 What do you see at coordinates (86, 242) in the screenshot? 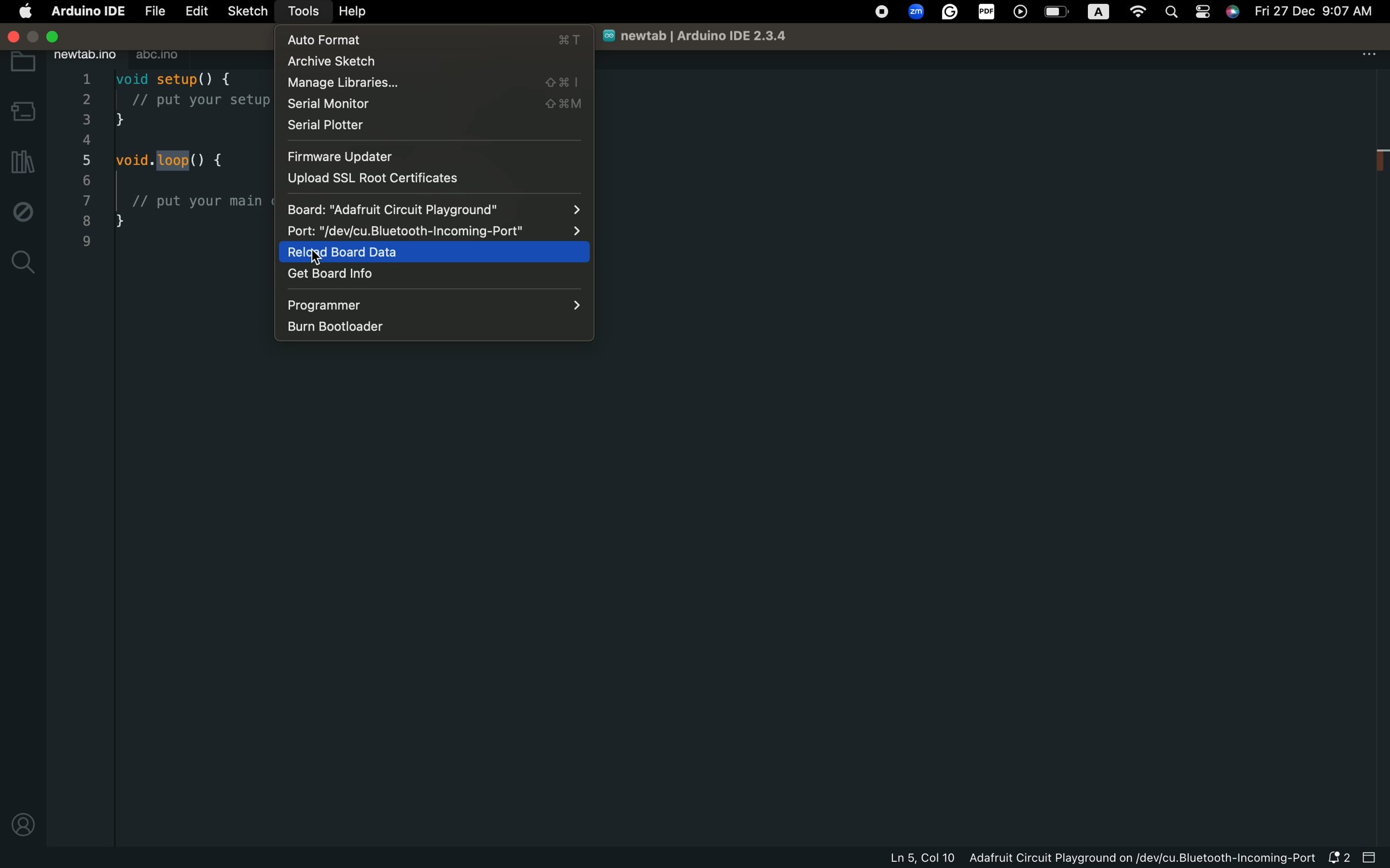
I see `9` at bounding box center [86, 242].